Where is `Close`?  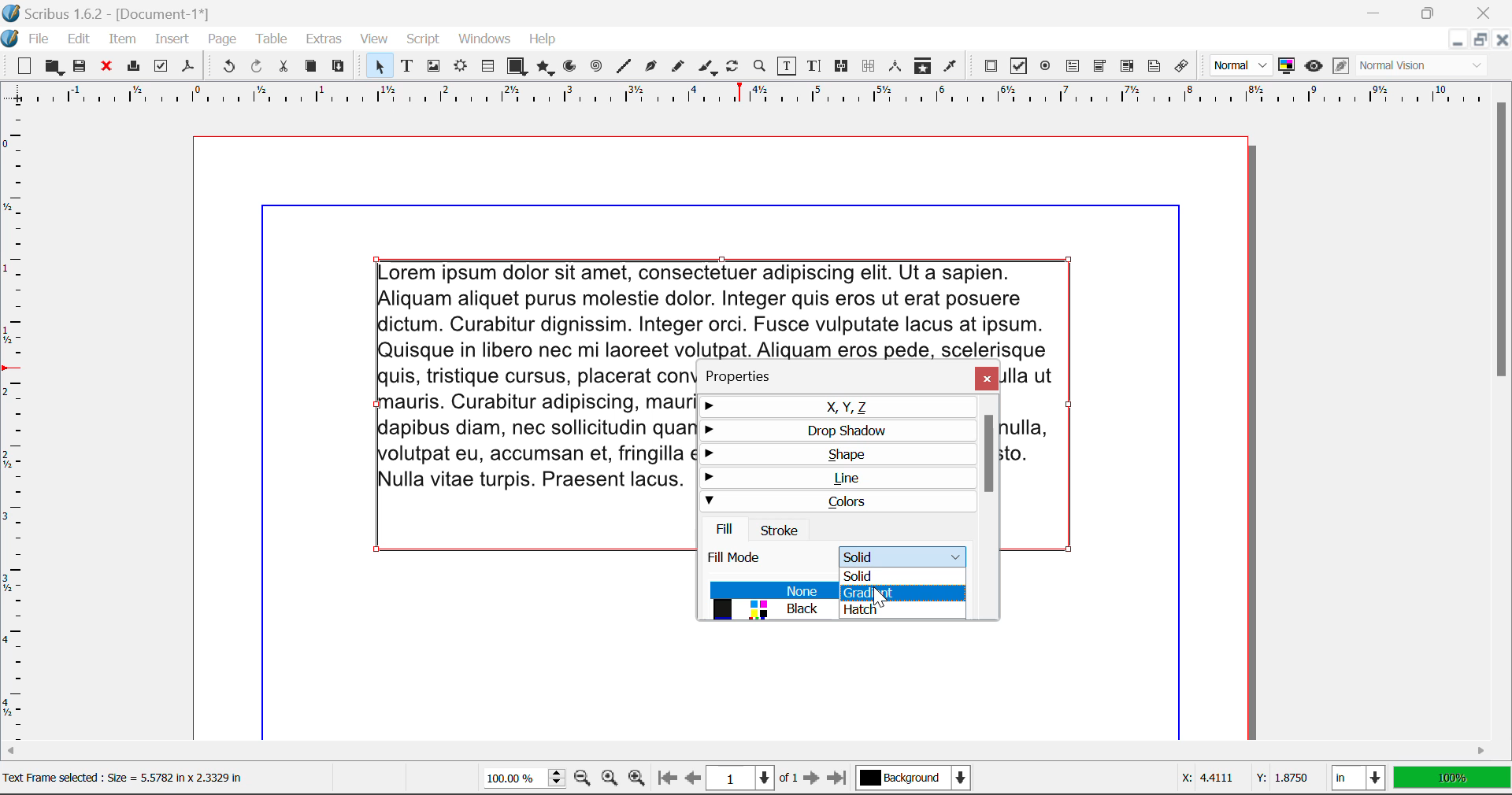
Close is located at coordinates (987, 378).